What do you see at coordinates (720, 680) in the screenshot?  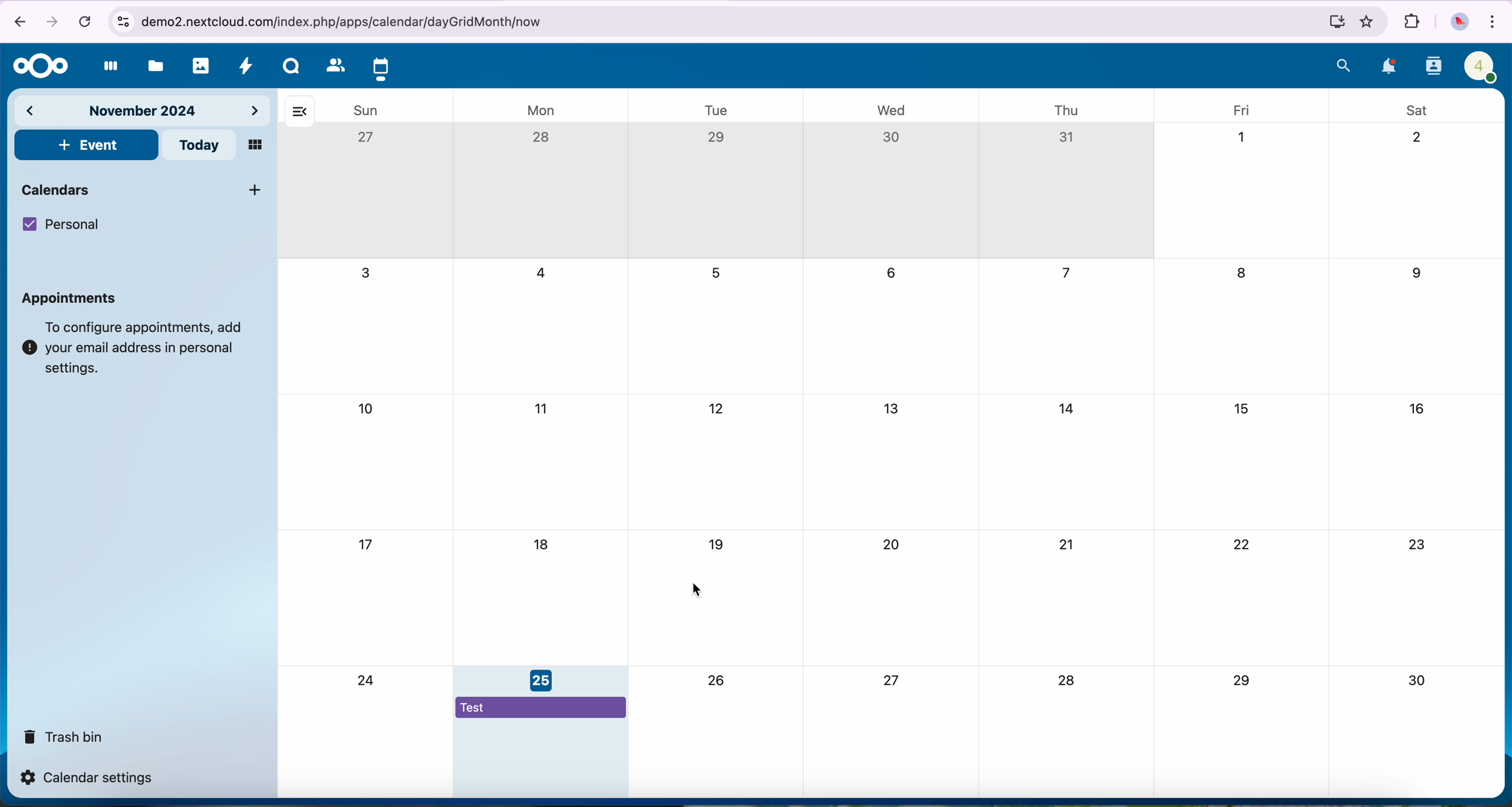 I see `26` at bounding box center [720, 680].